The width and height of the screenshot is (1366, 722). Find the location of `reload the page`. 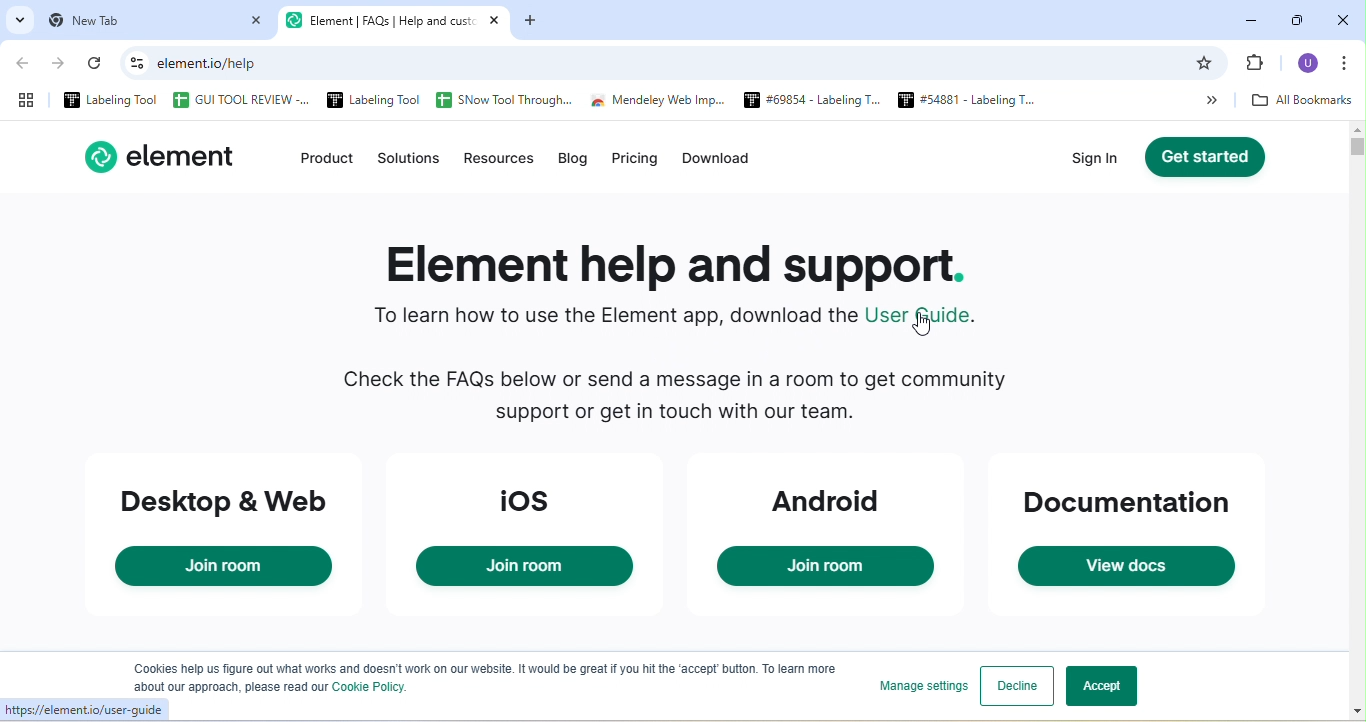

reload the page is located at coordinates (97, 67).